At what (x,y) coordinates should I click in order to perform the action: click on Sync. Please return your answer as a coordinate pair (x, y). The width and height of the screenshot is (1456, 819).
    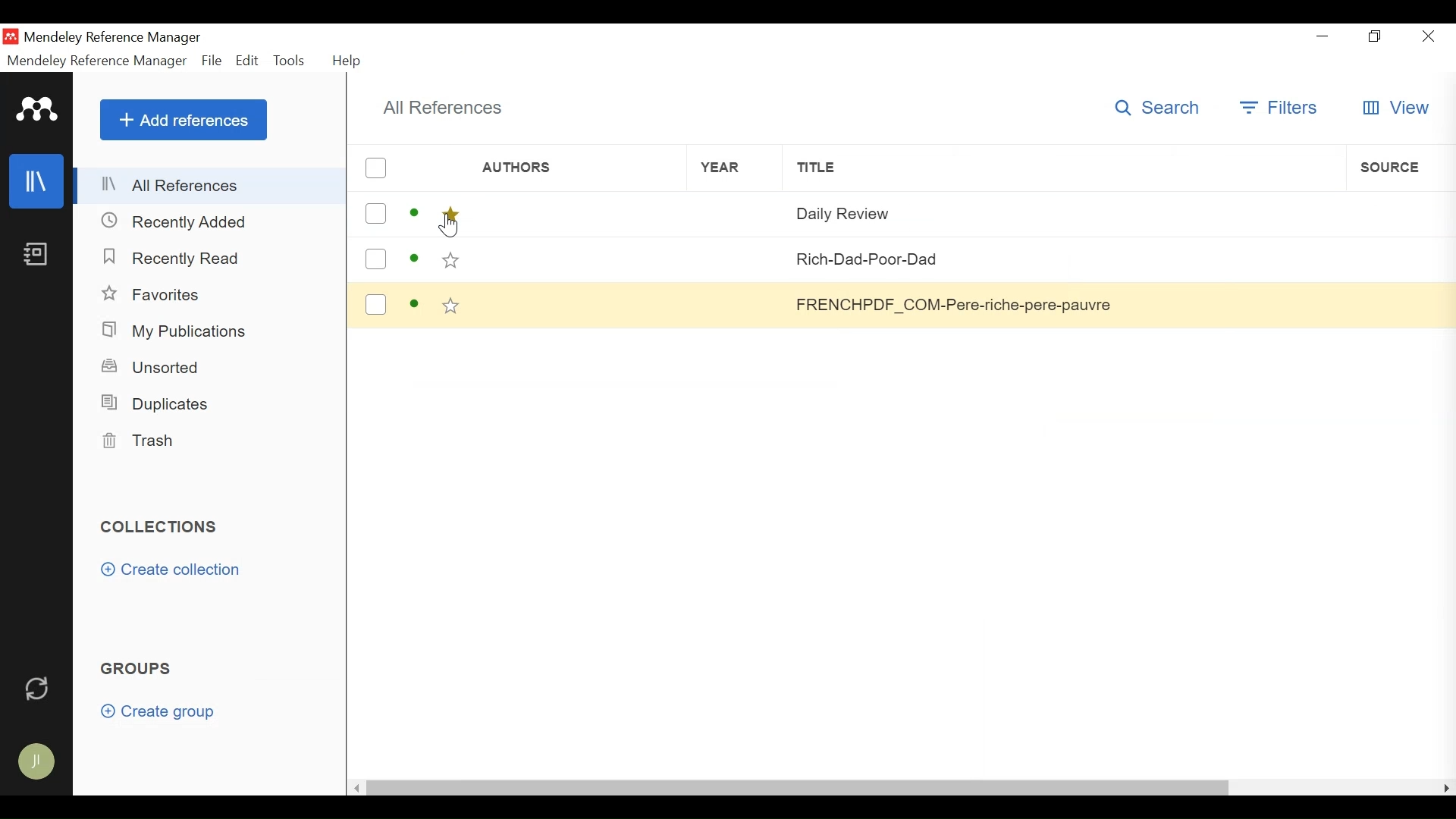
    Looking at the image, I should click on (39, 687).